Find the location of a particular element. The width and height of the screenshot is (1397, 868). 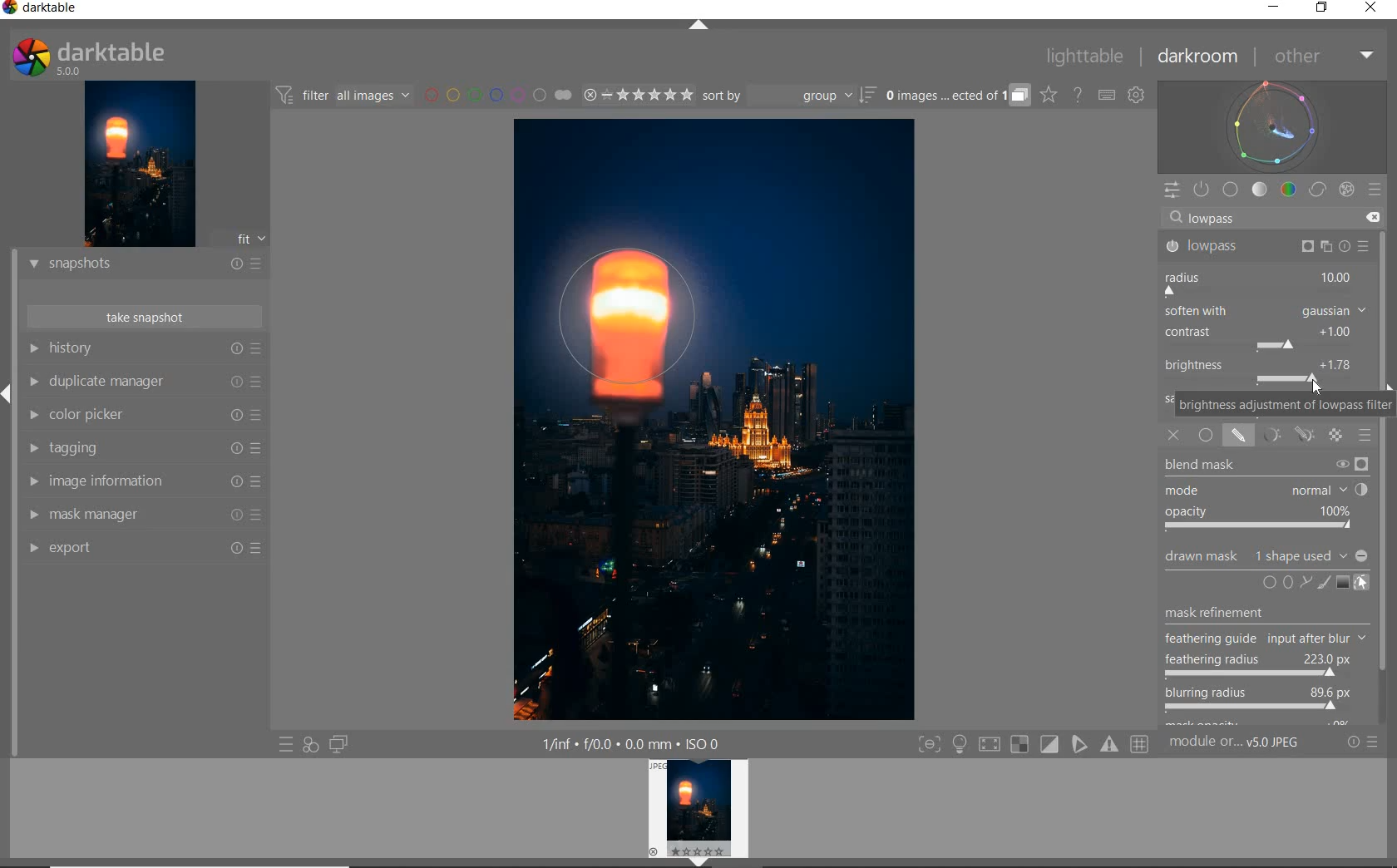

SHOW GLOBAL PREFERENCES is located at coordinates (1138, 96).